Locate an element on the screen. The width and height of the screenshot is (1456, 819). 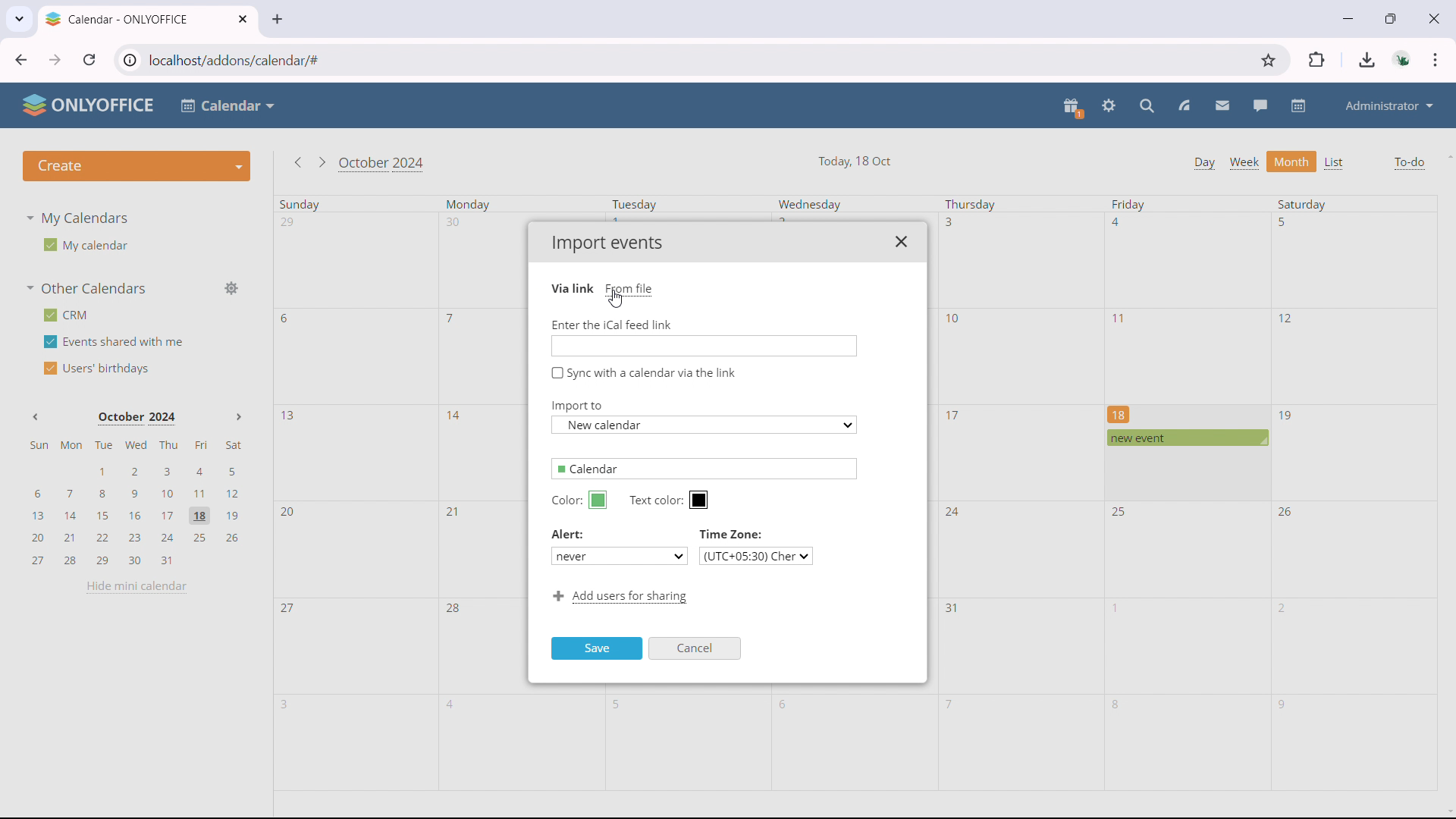
26 is located at coordinates (1287, 510).